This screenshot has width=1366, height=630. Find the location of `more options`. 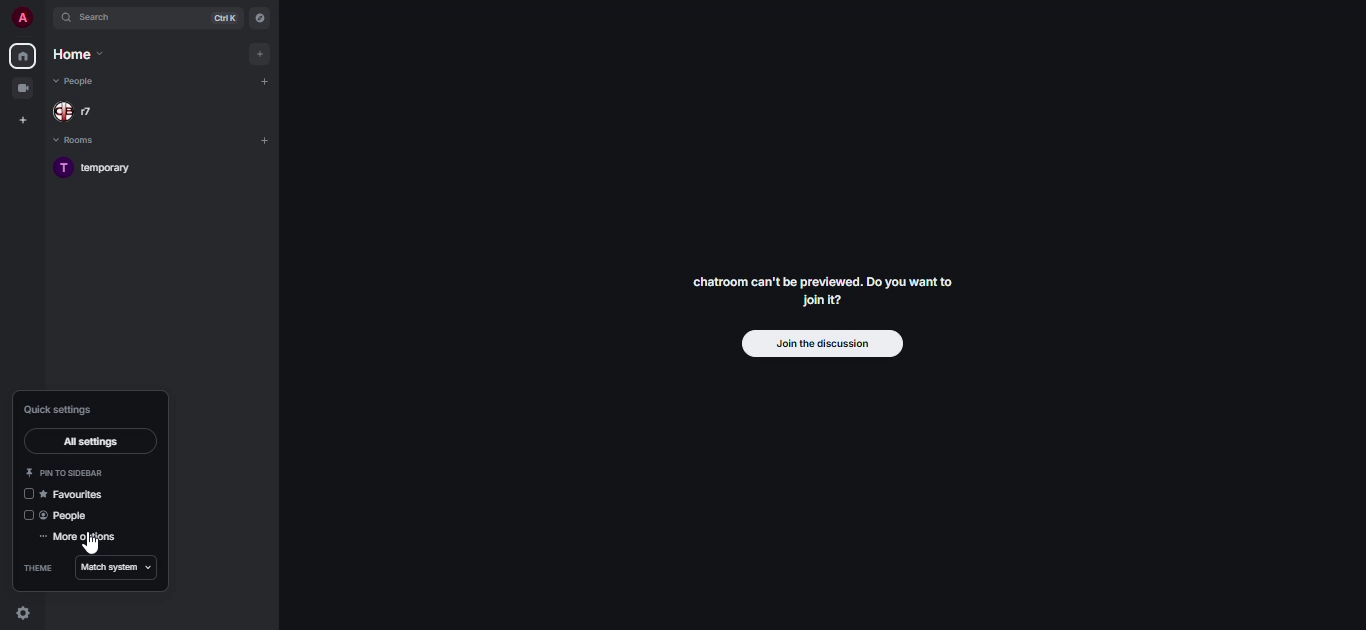

more options is located at coordinates (80, 537).